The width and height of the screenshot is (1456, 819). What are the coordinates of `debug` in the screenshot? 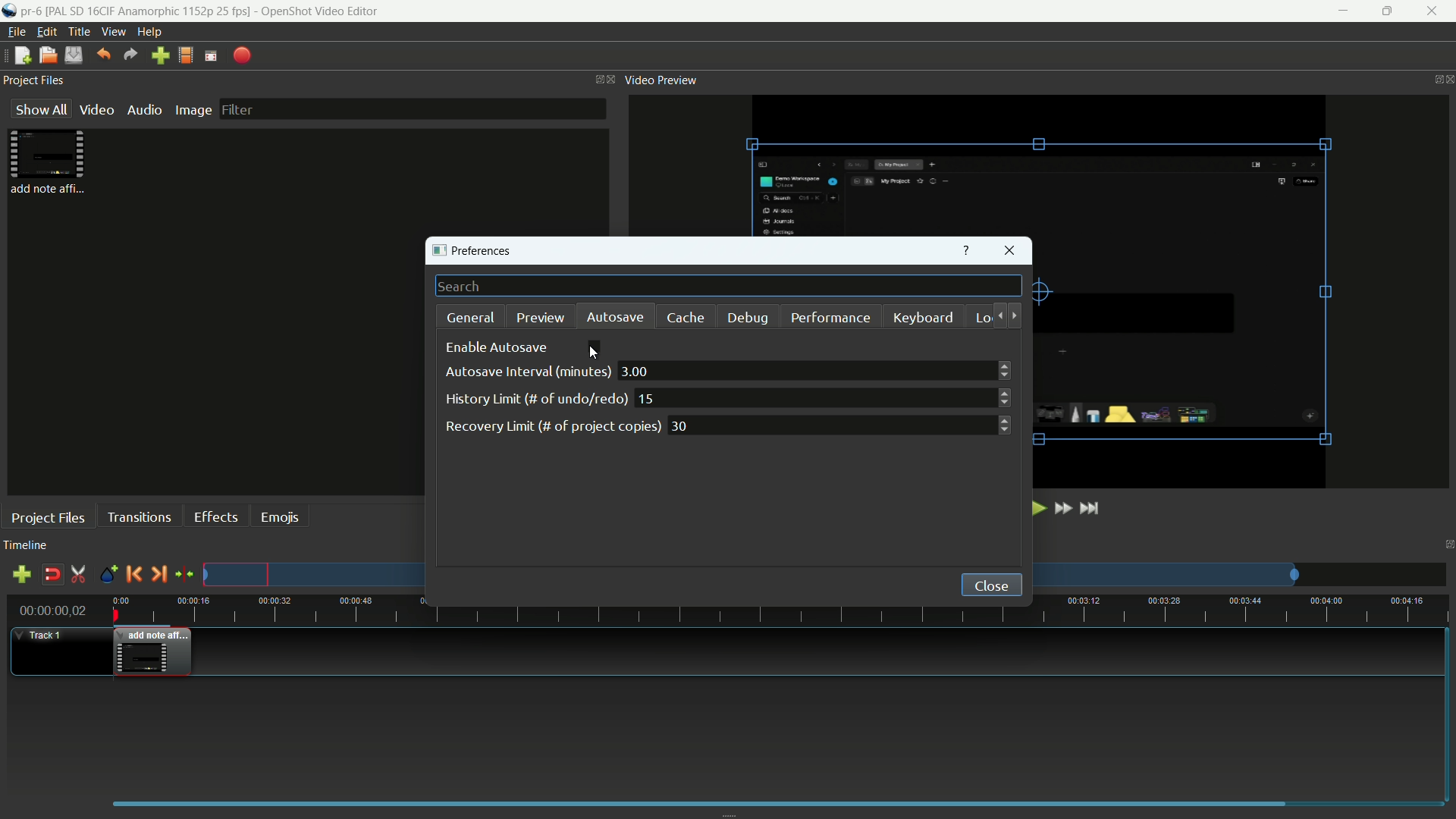 It's located at (745, 318).